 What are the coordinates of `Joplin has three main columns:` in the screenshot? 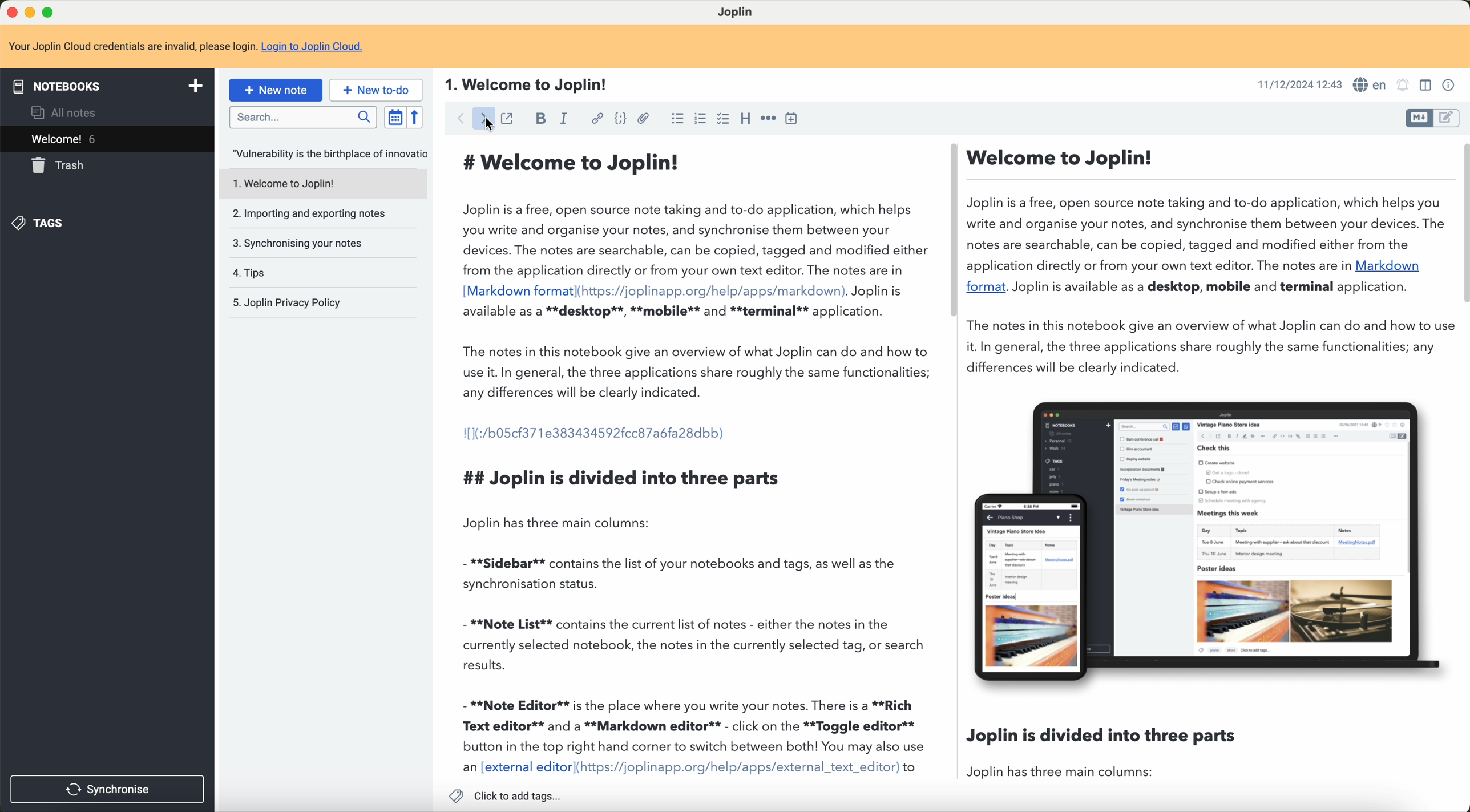 It's located at (555, 523).